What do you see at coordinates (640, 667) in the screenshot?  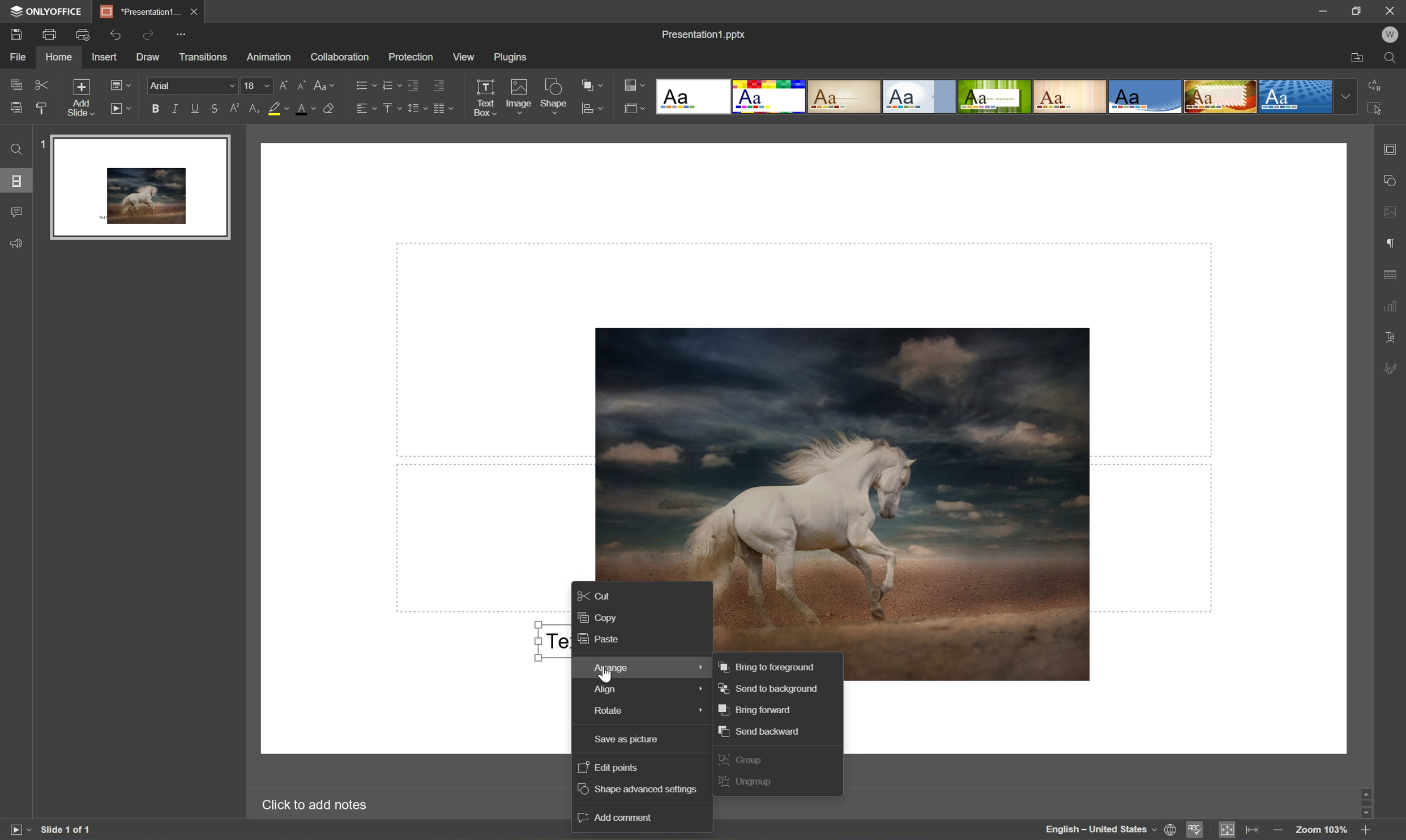 I see `Arrange` at bounding box center [640, 667].